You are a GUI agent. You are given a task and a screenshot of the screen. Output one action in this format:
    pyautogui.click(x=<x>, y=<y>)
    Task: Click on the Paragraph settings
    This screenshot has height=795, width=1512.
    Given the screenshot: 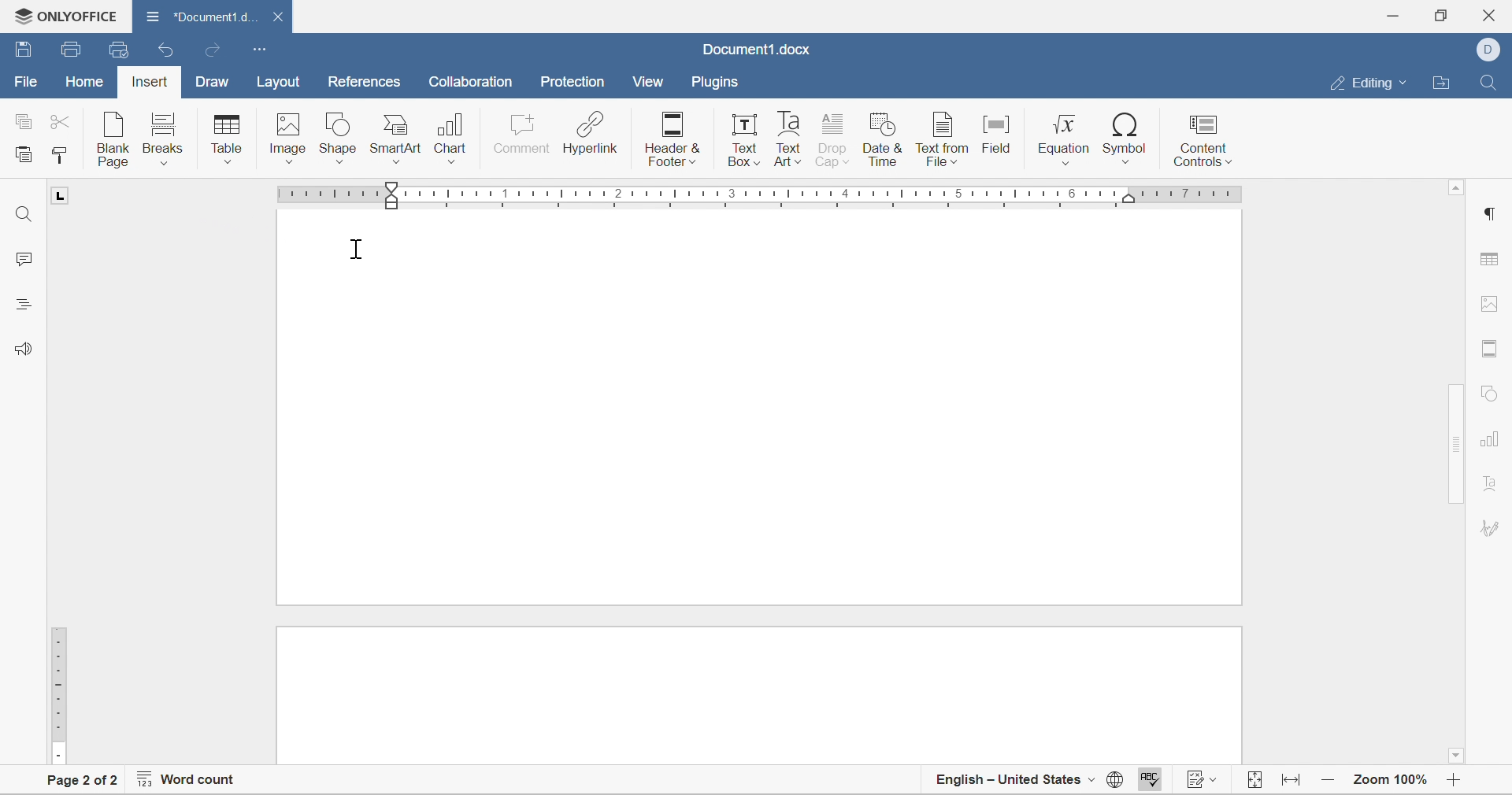 What is the action you would take?
    pyautogui.click(x=1492, y=214)
    